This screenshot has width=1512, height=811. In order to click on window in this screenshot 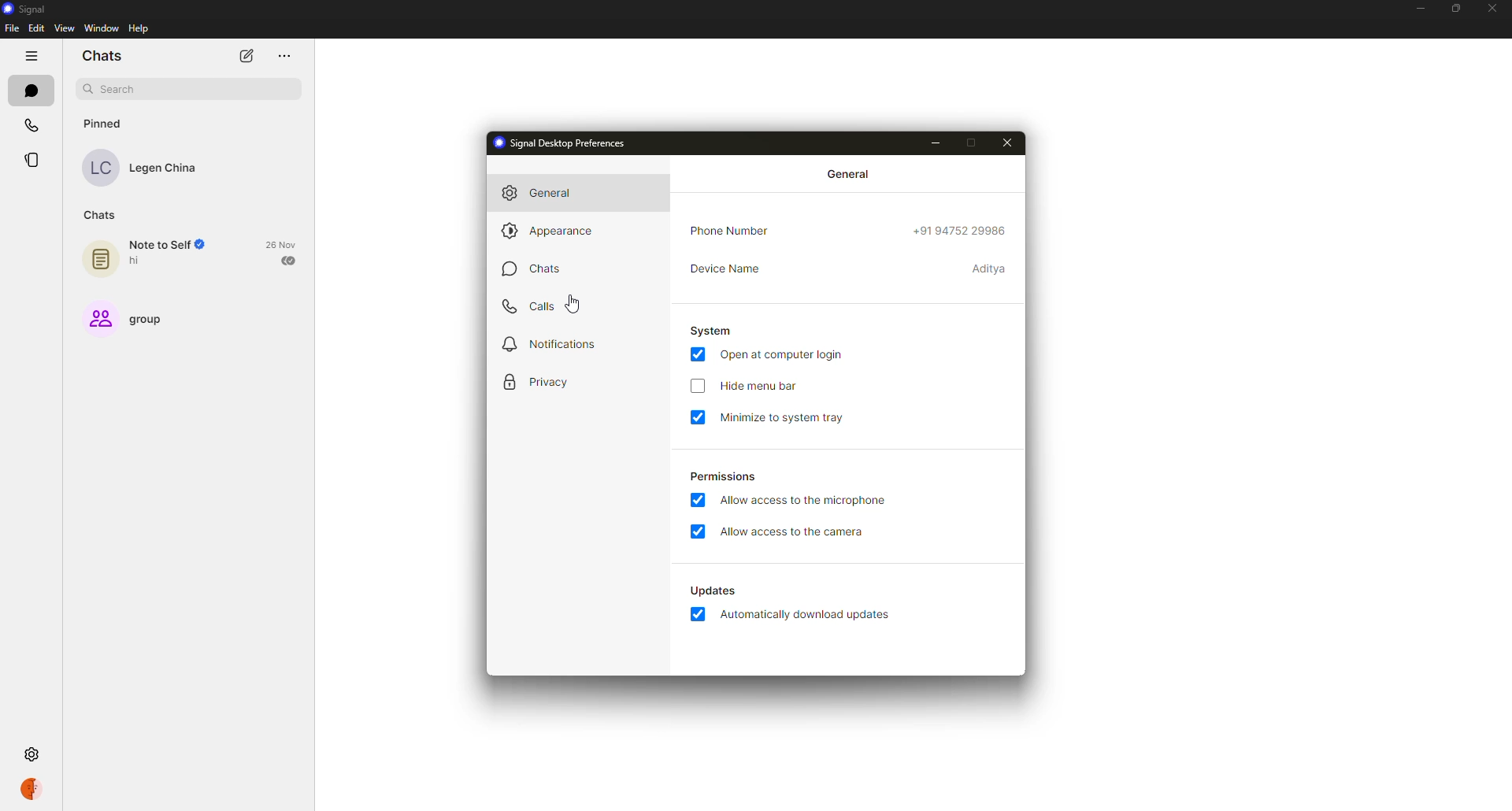, I will do `click(102, 27)`.